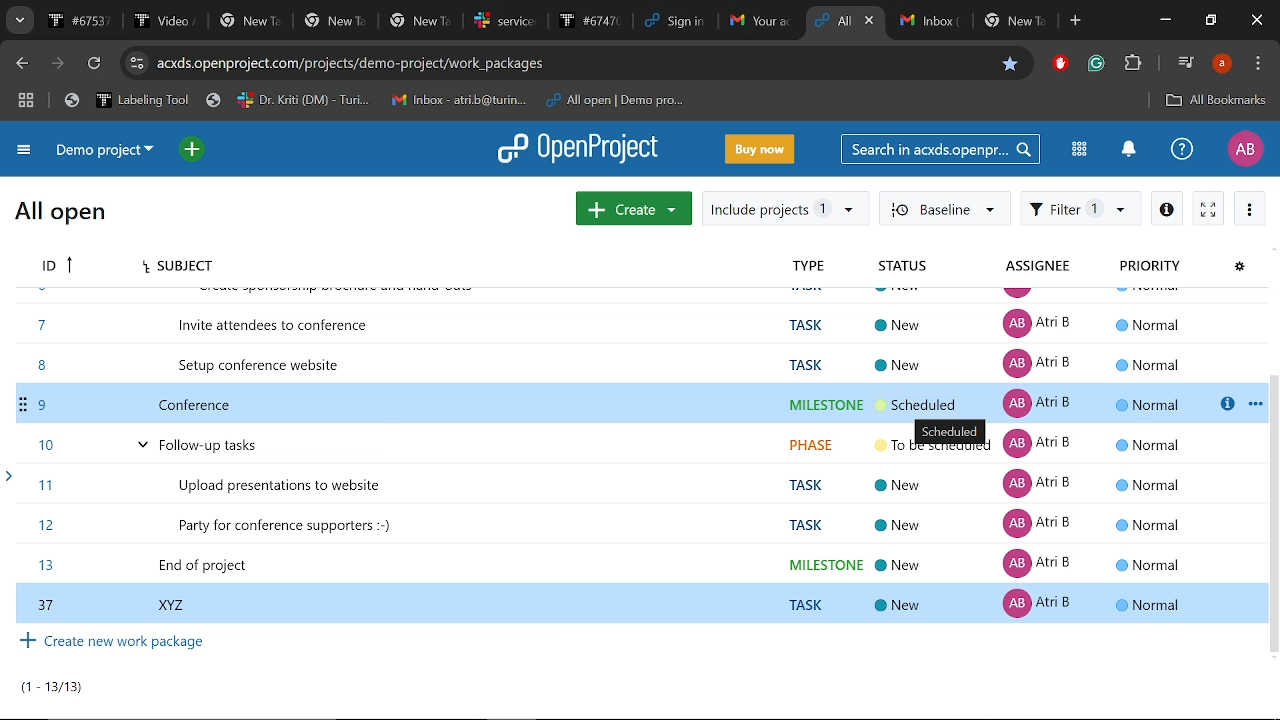  What do you see at coordinates (1046, 267) in the screenshot?
I see `Assignee` at bounding box center [1046, 267].